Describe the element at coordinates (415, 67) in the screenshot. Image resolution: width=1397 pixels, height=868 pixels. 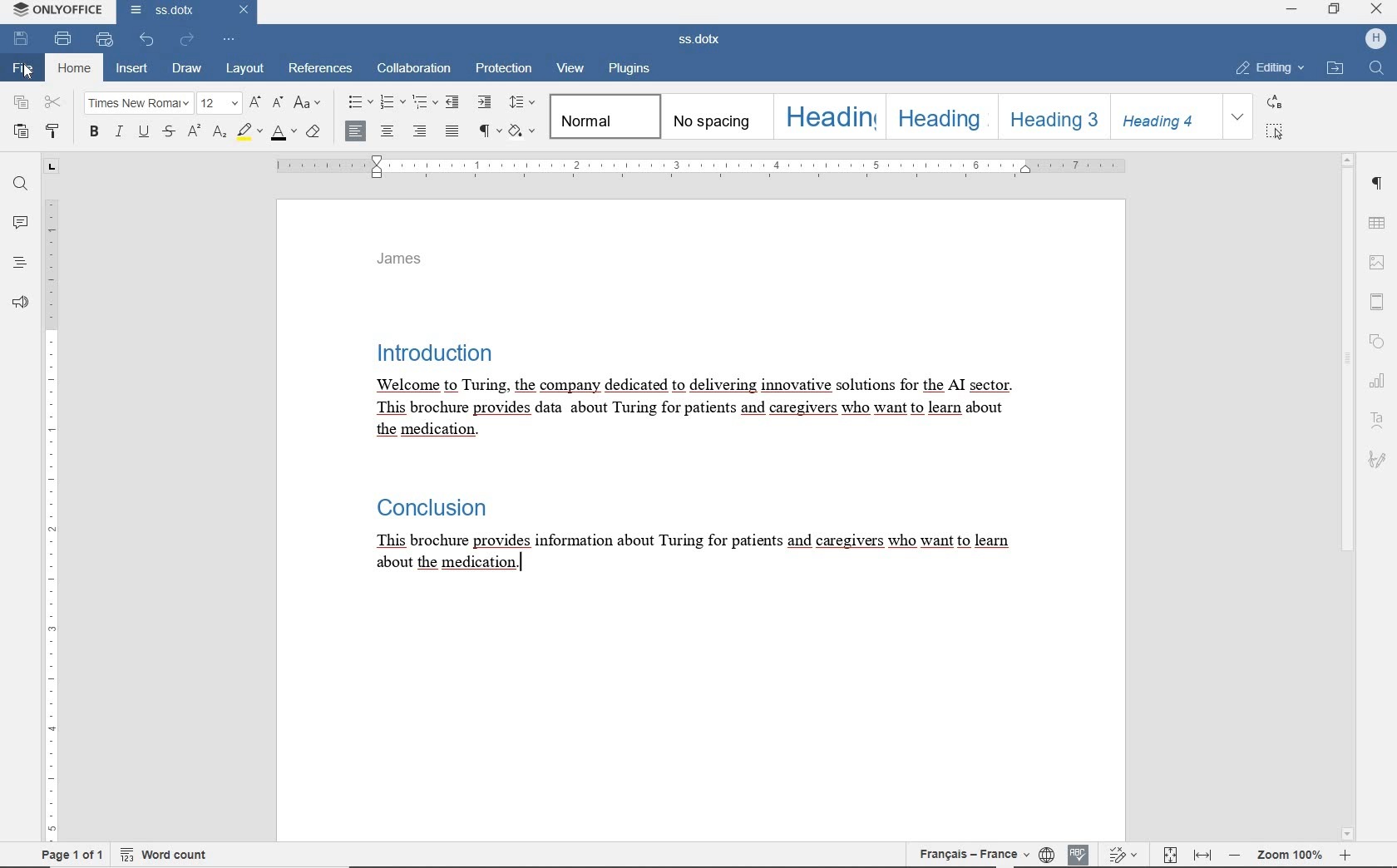
I see `COLLABORATION` at that location.